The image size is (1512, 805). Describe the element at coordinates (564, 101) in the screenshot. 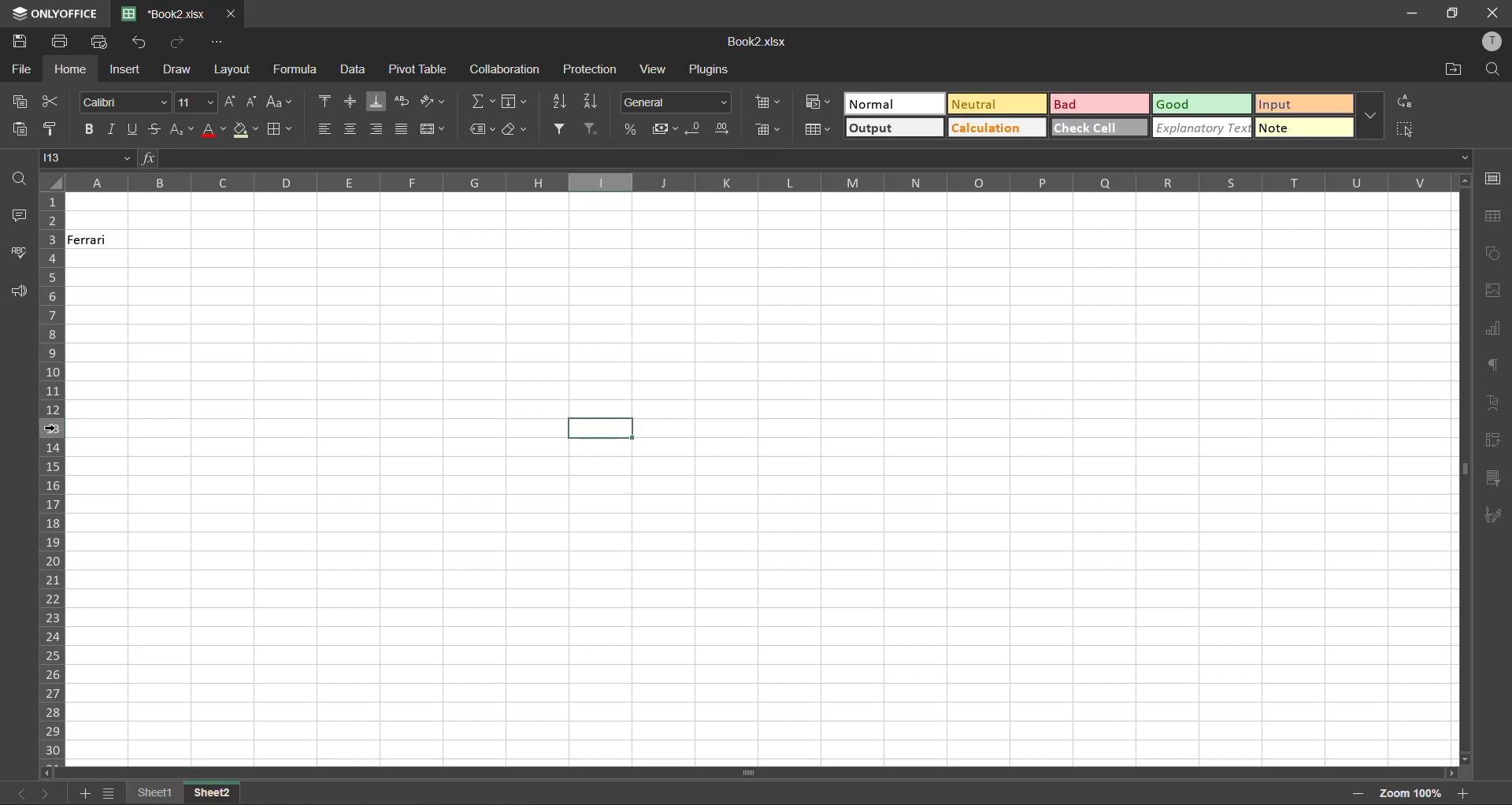

I see `sort ascending` at that location.